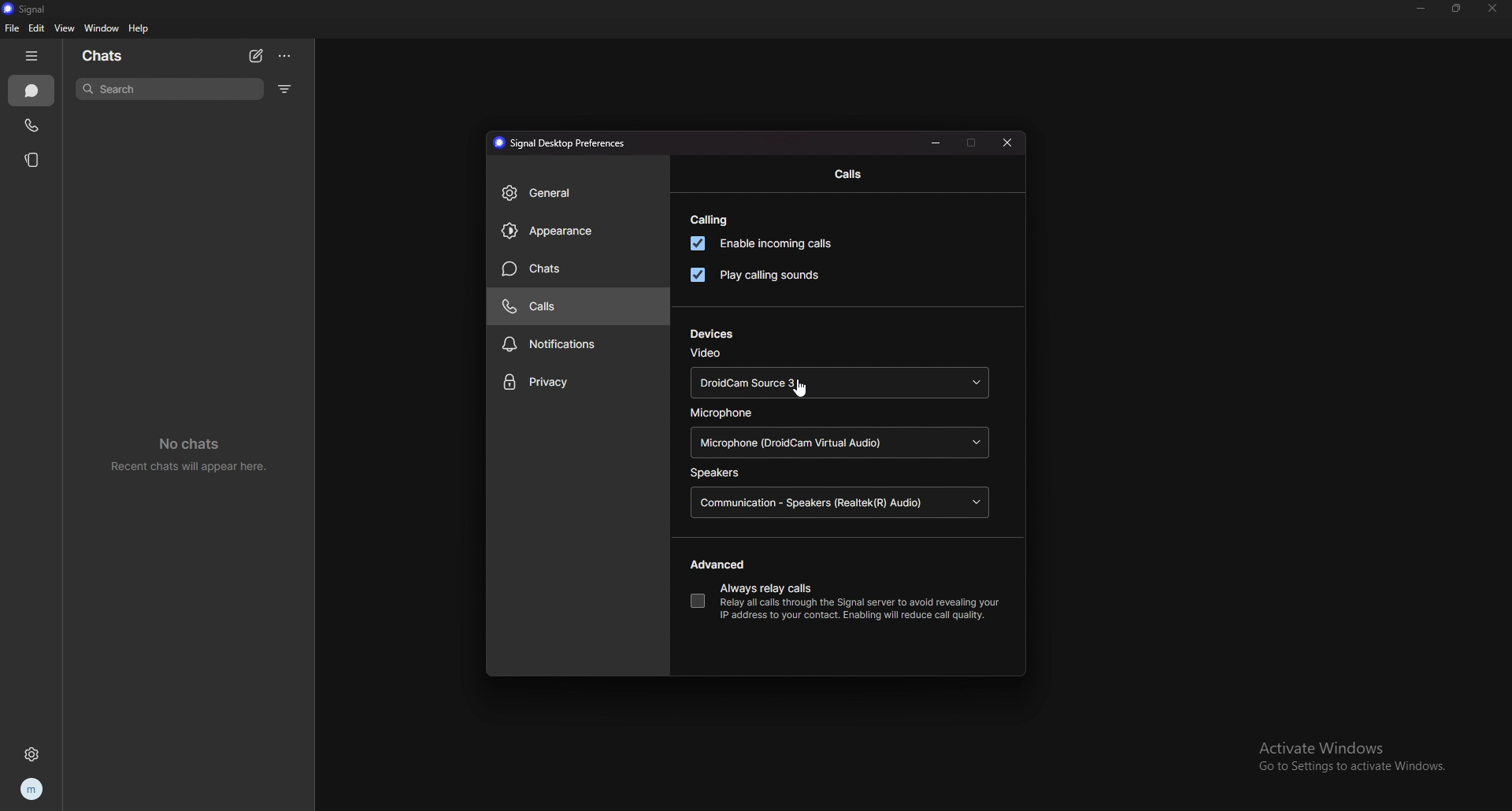 The height and width of the screenshot is (811, 1512). Describe the element at coordinates (579, 383) in the screenshot. I see `priavcy` at that location.